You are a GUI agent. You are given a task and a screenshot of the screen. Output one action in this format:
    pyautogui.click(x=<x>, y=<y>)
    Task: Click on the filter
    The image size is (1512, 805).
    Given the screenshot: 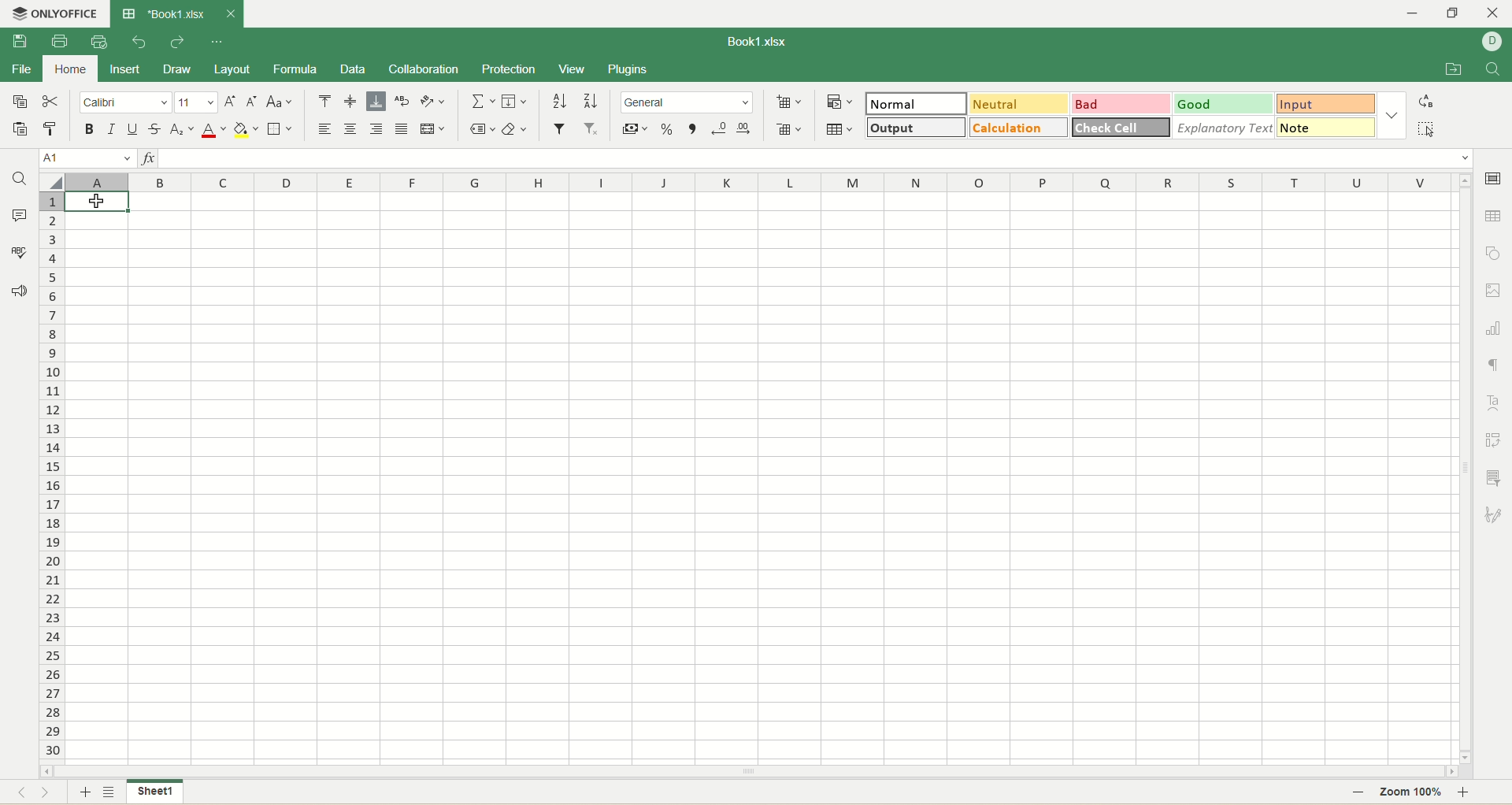 What is the action you would take?
    pyautogui.click(x=559, y=128)
    